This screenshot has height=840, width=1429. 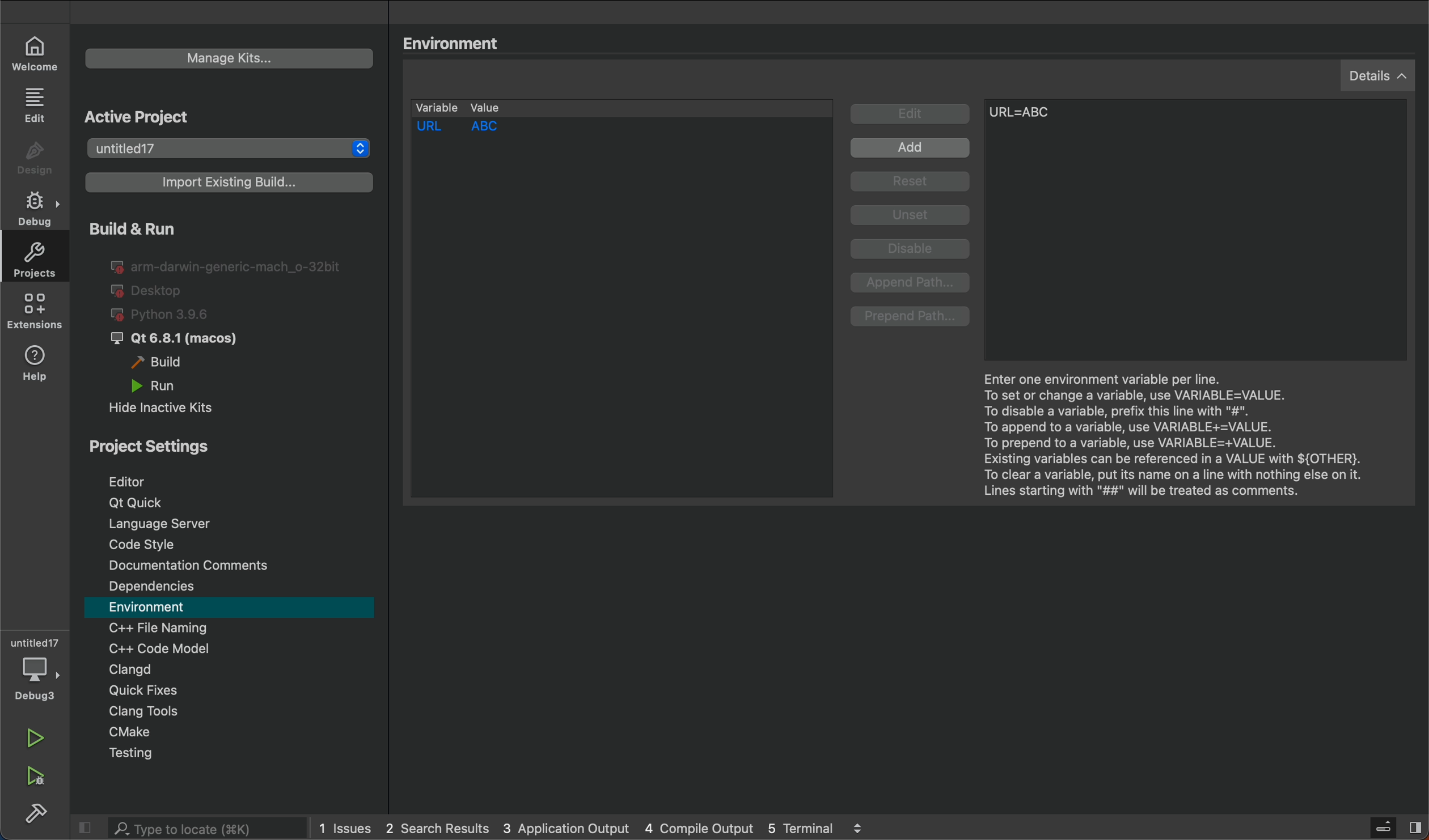 What do you see at coordinates (231, 564) in the screenshot?
I see `comments` at bounding box center [231, 564].